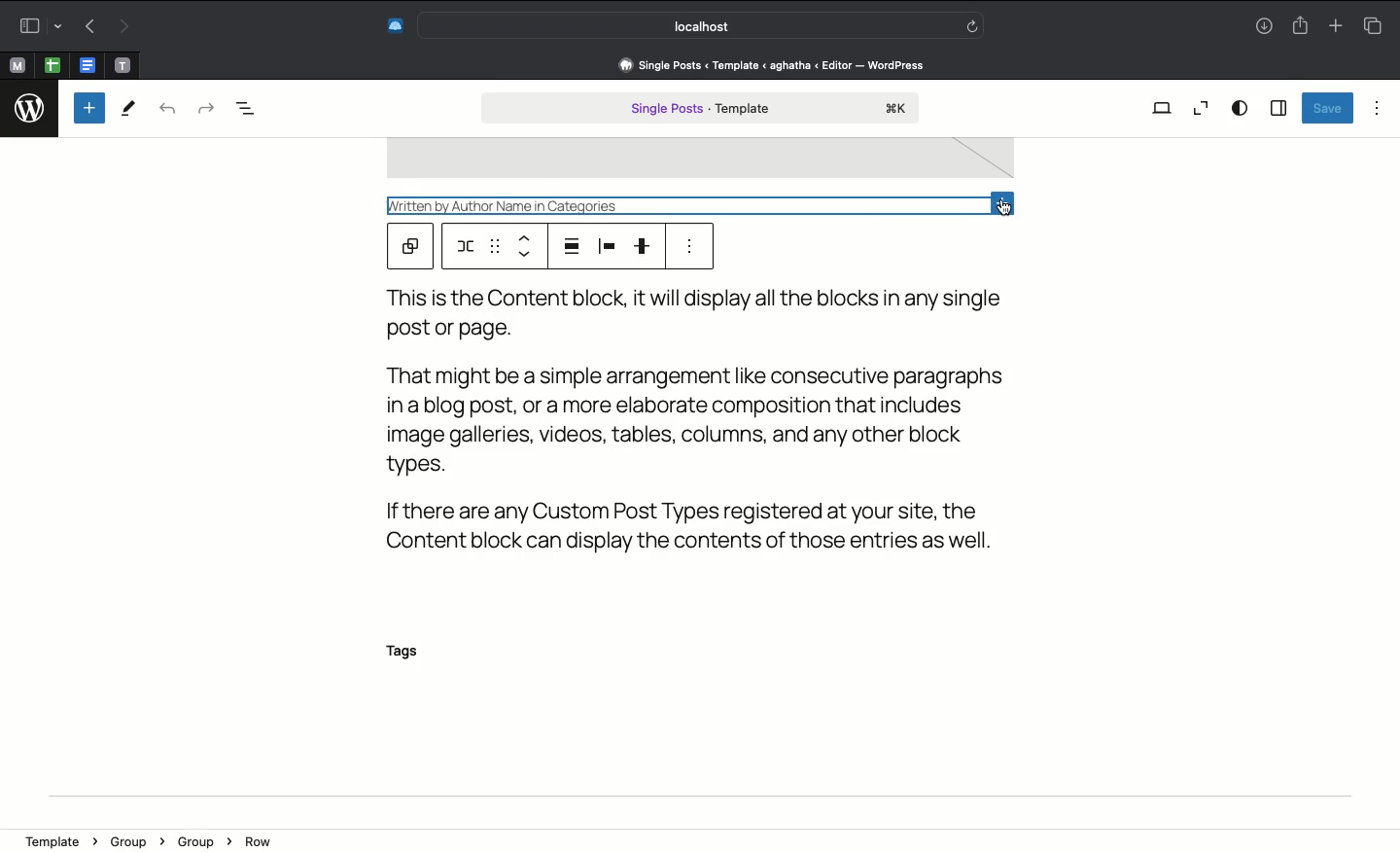 The image size is (1400, 852). I want to click on Text, so click(715, 419).